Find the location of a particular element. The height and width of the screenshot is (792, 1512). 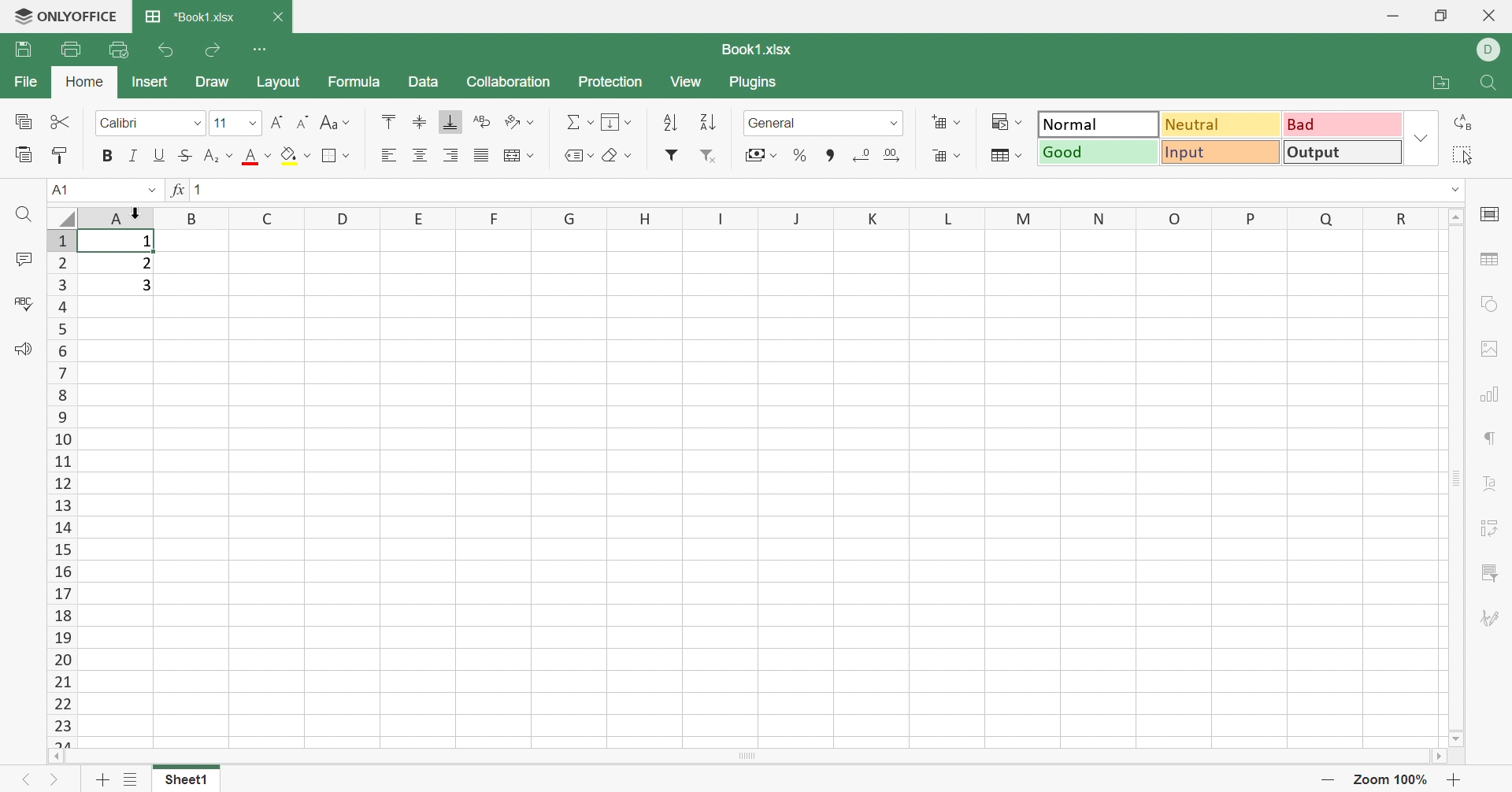

Decrement font size is located at coordinates (306, 122).